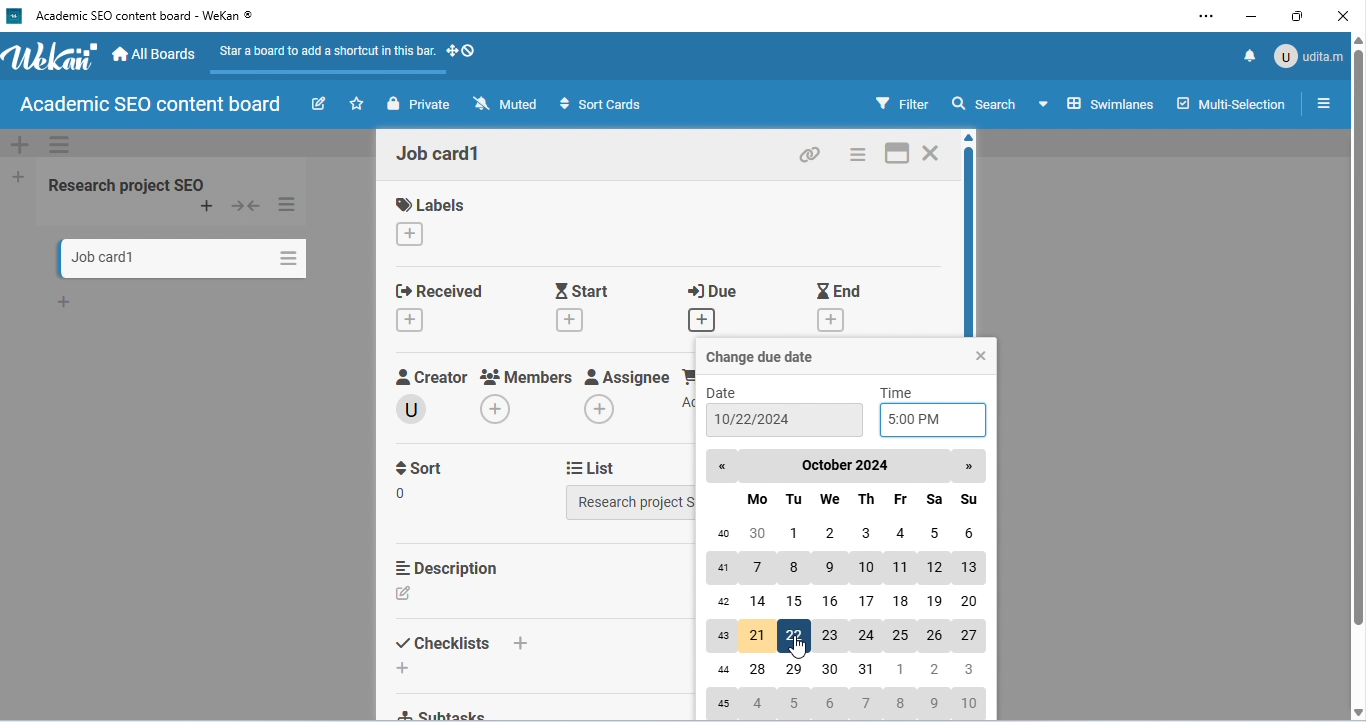 This screenshot has width=1366, height=722. What do you see at coordinates (900, 392) in the screenshot?
I see `time` at bounding box center [900, 392].